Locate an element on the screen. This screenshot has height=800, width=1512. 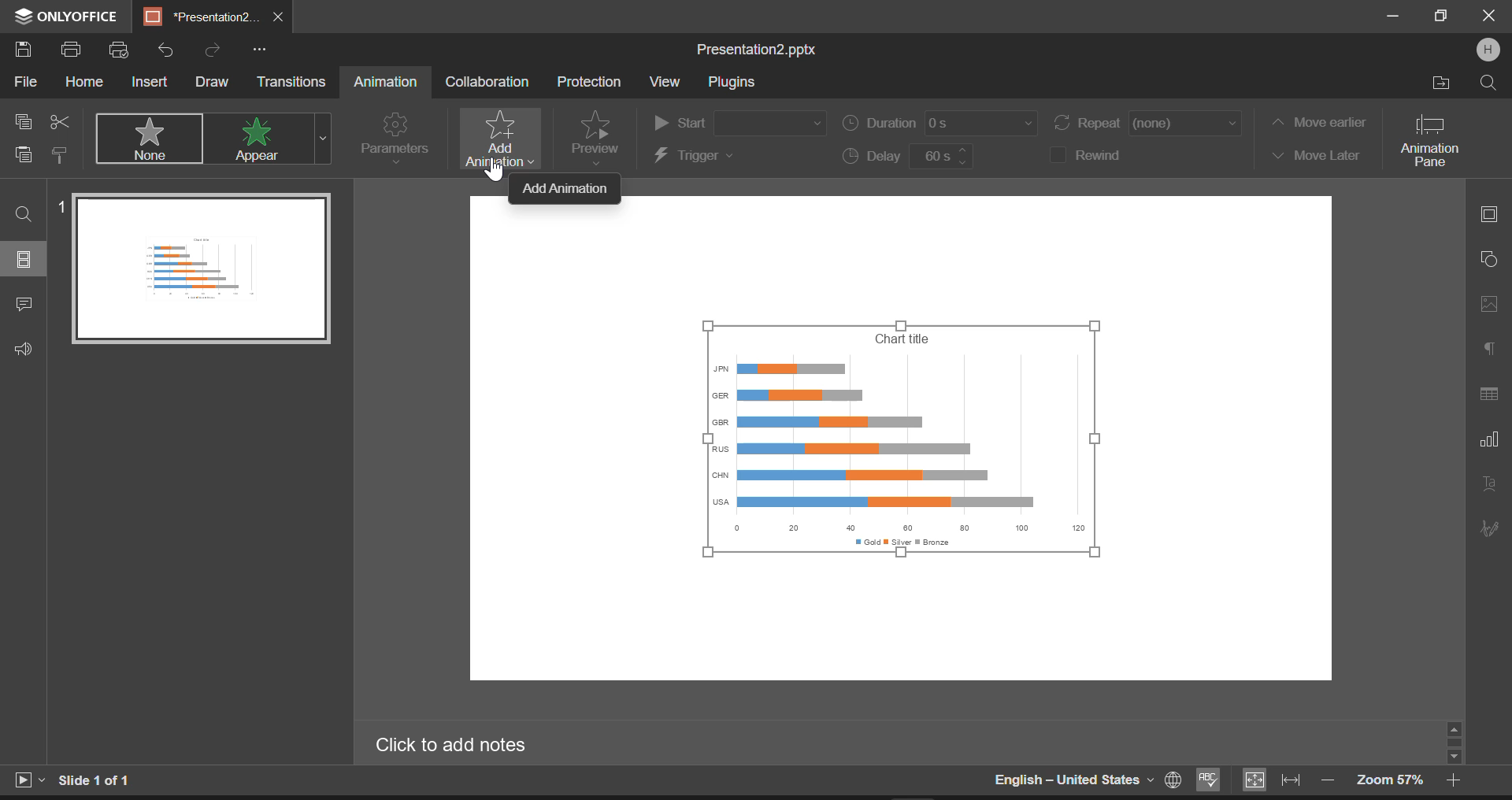
Click to add notes is located at coordinates (461, 745).